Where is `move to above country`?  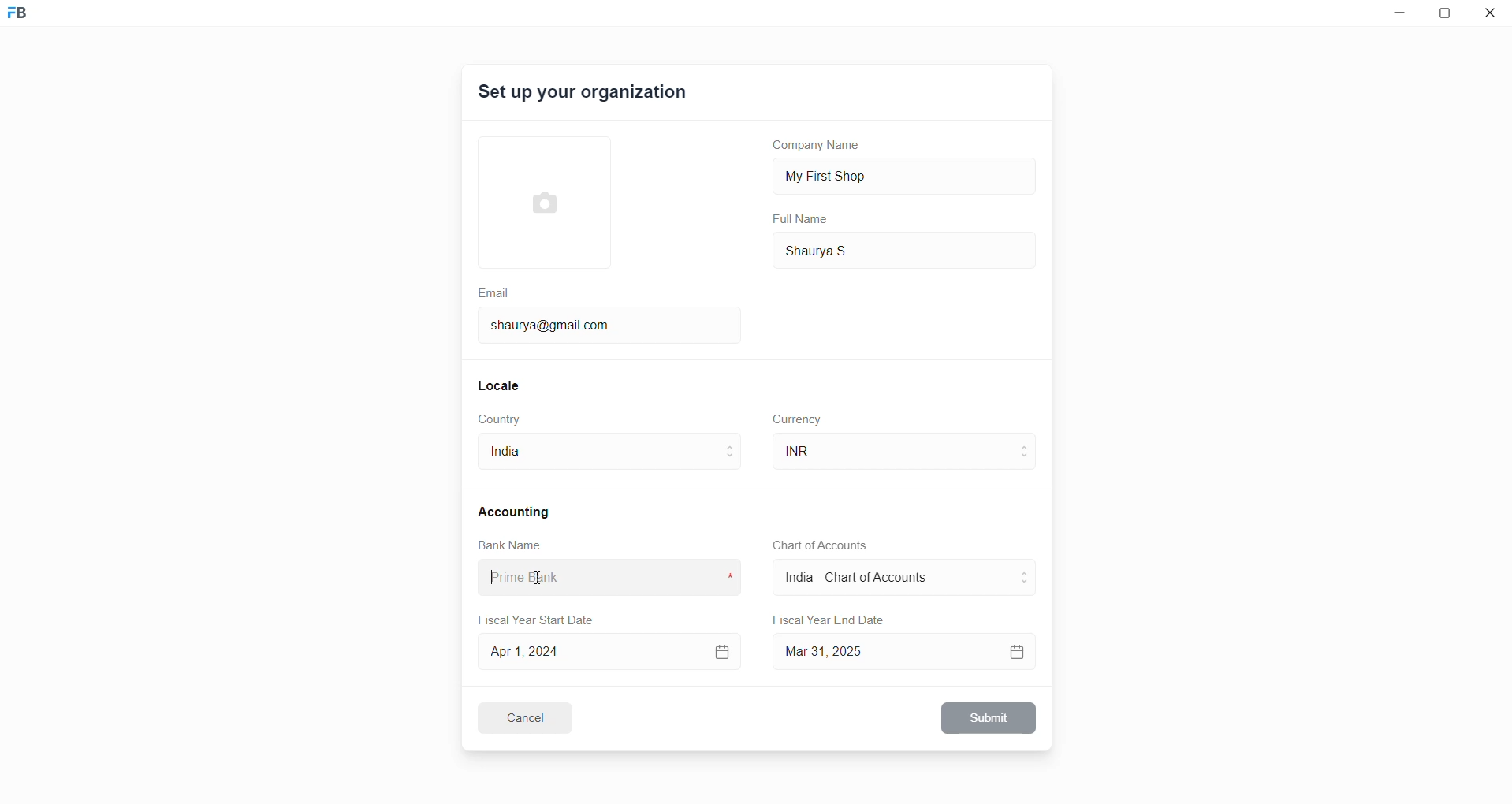
move to above country is located at coordinates (733, 445).